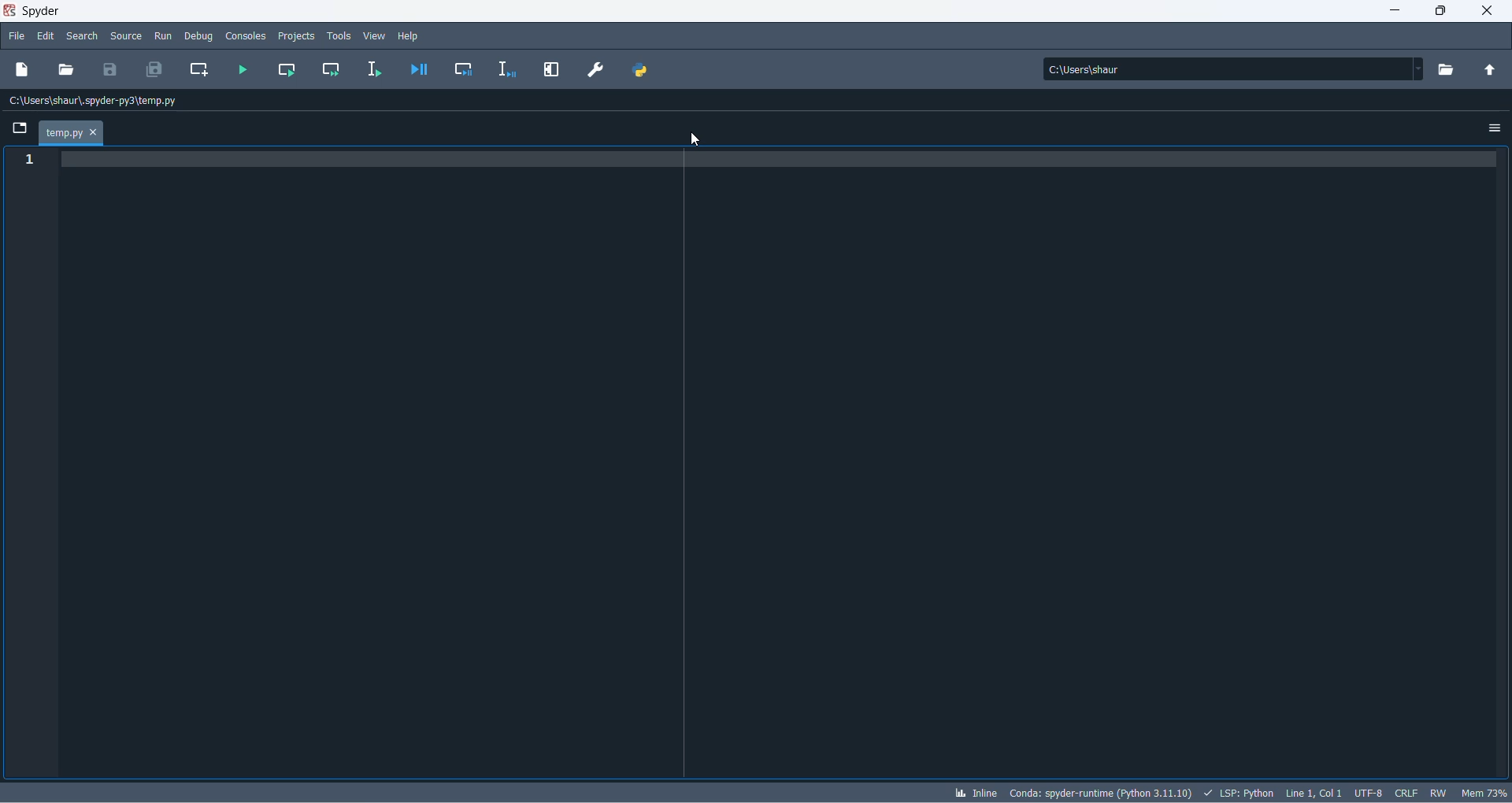  Describe the element at coordinates (287, 68) in the screenshot. I see `run current cell` at that location.